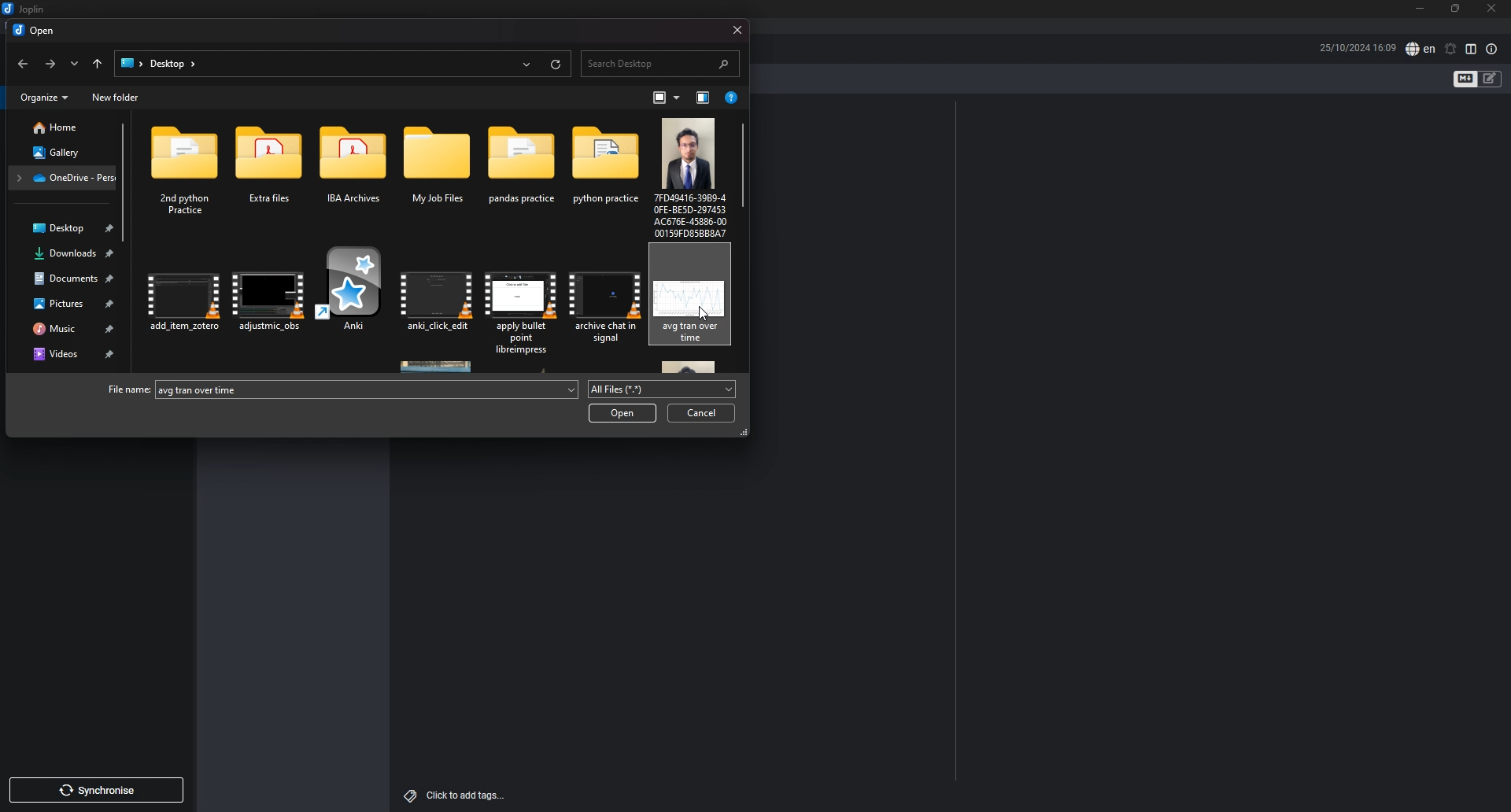 This screenshot has width=1511, height=812. I want to click on upto desktop, so click(97, 65).